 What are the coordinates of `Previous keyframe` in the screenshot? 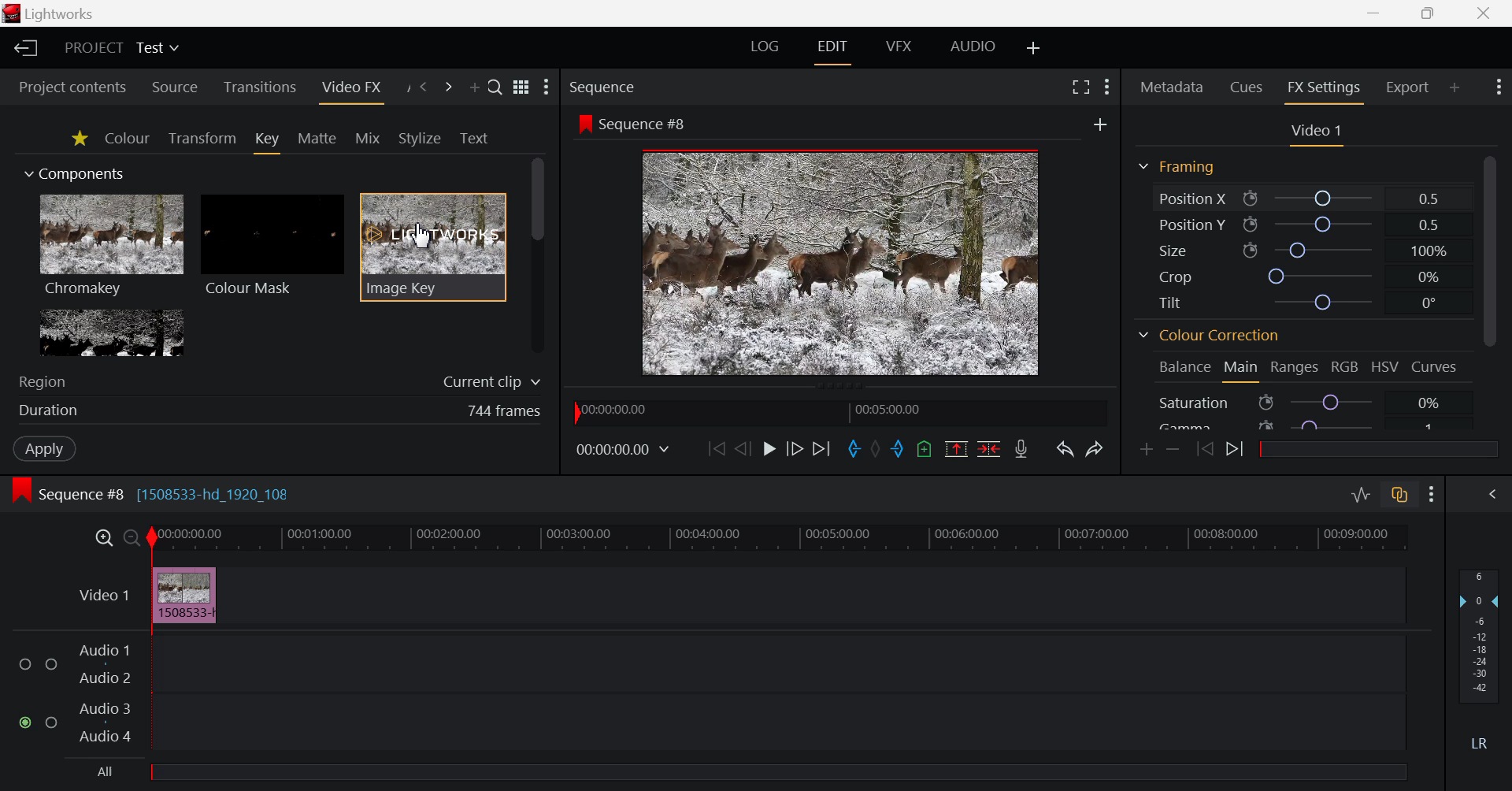 It's located at (1205, 452).